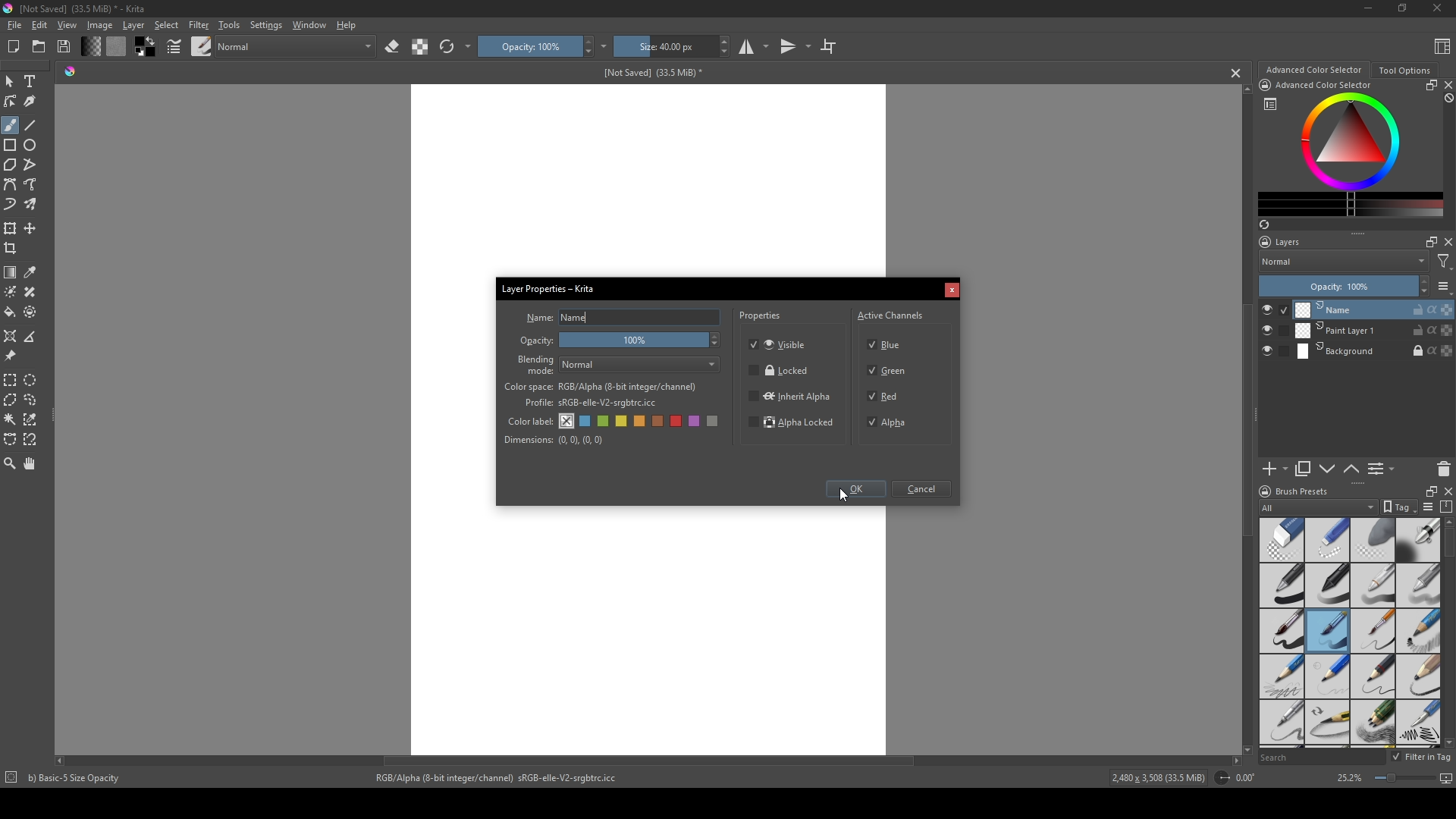 This screenshot has height=819, width=1456. I want to click on hard eraser, so click(1326, 539).